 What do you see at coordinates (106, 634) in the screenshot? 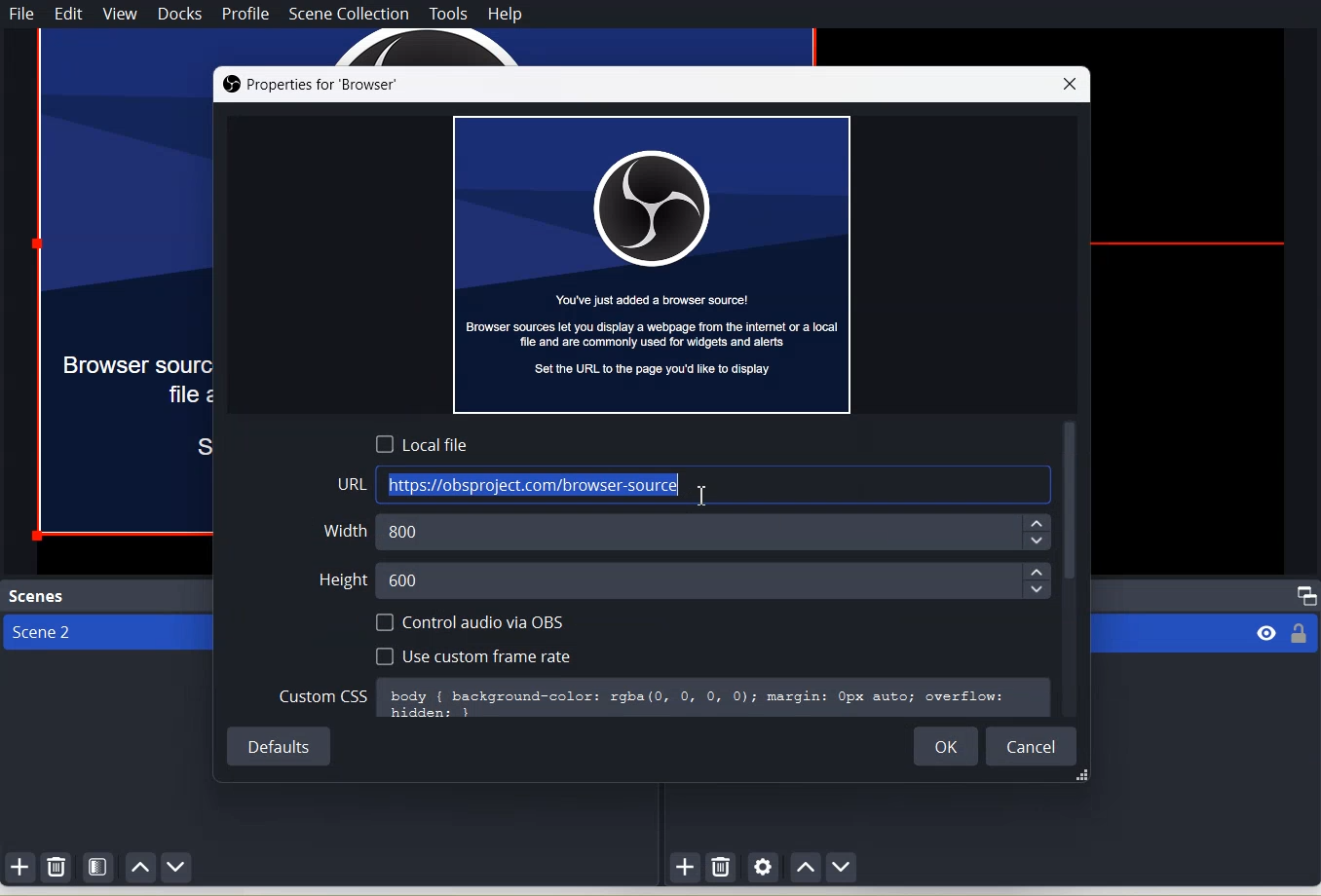
I see `Scene 2` at bounding box center [106, 634].